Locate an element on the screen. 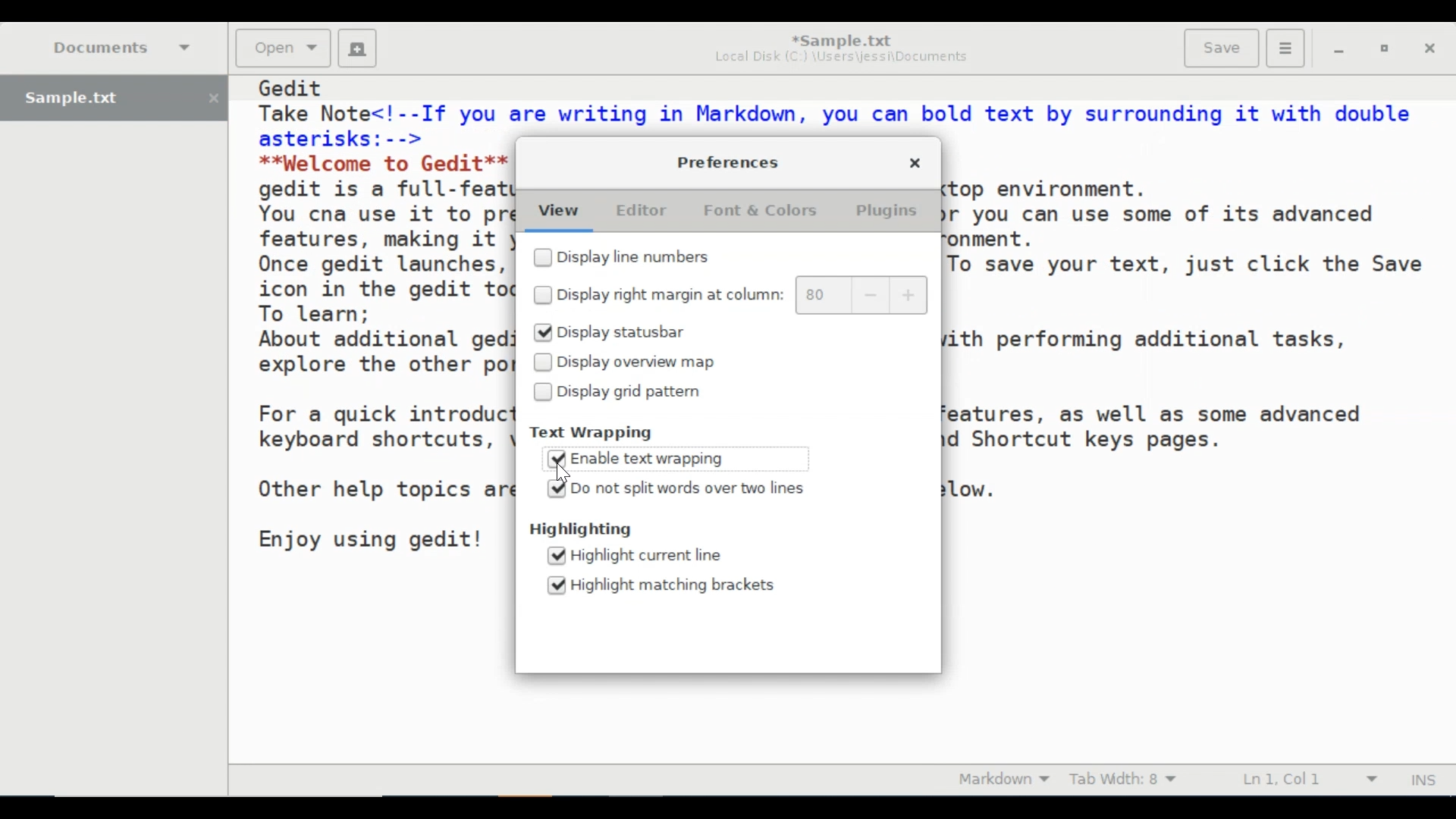  *Sample.txt is located at coordinates (840, 39).